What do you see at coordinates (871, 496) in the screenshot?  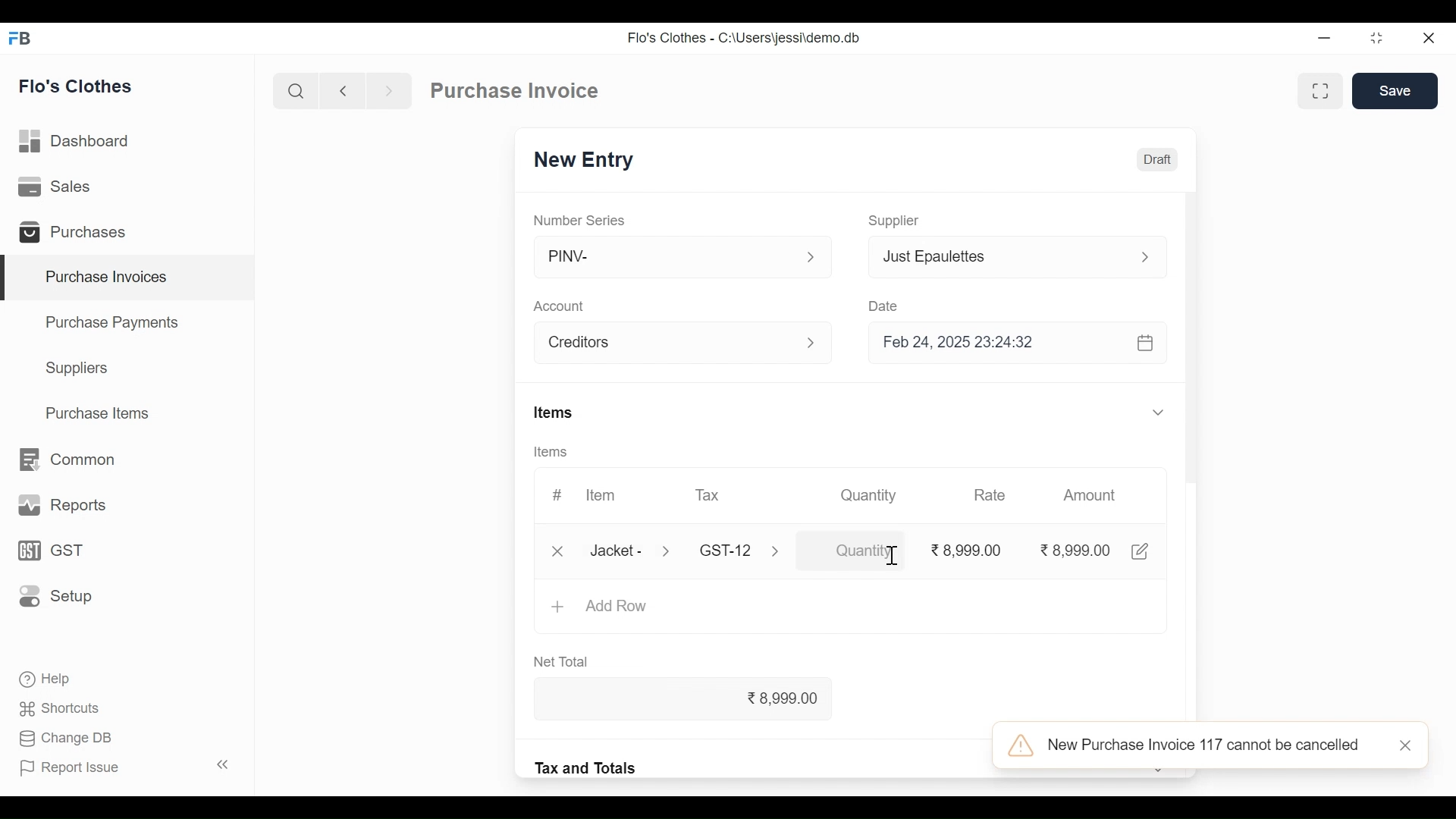 I see `Quantity` at bounding box center [871, 496].